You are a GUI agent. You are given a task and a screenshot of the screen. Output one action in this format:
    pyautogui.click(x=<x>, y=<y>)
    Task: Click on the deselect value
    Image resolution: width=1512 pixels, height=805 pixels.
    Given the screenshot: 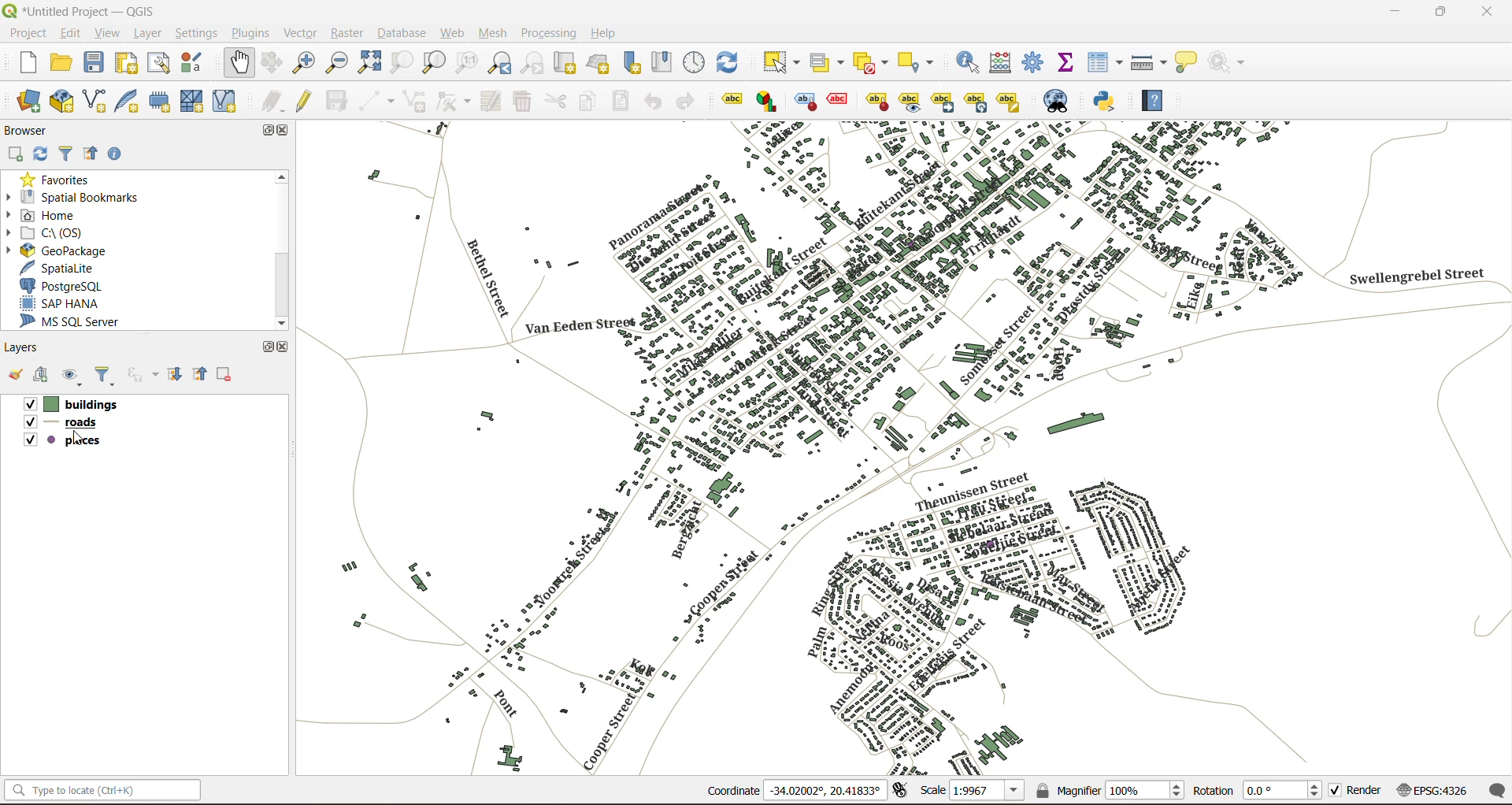 What is the action you would take?
    pyautogui.click(x=877, y=63)
    